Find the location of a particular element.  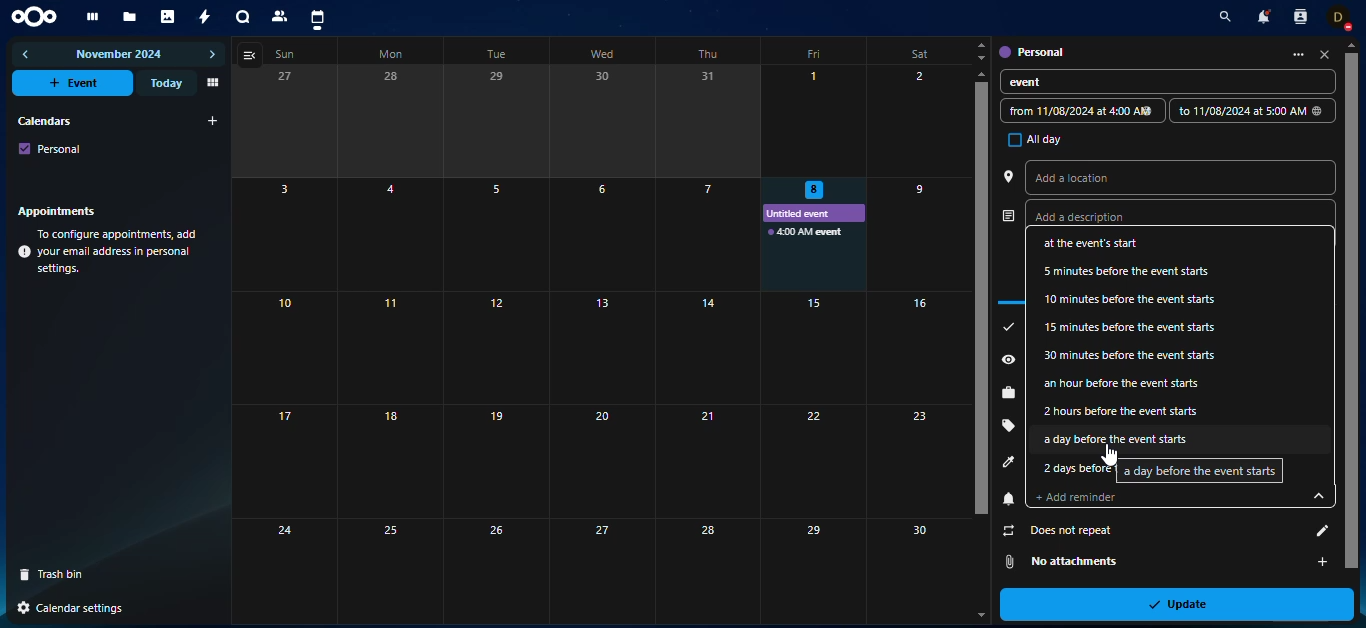

7 is located at coordinates (706, 234).